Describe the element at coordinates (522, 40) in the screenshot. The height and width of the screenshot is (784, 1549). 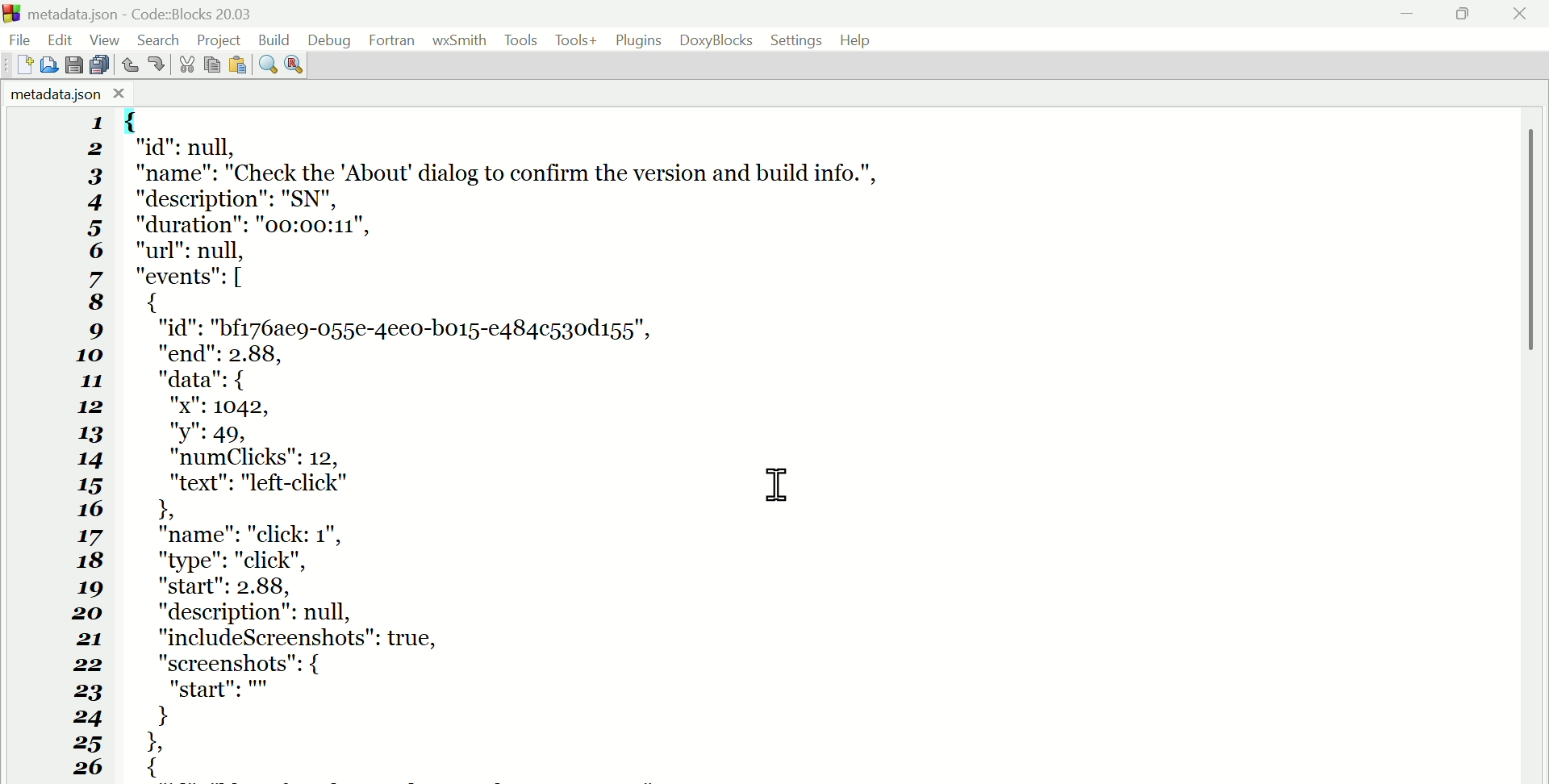
I see `Tools` at that location.